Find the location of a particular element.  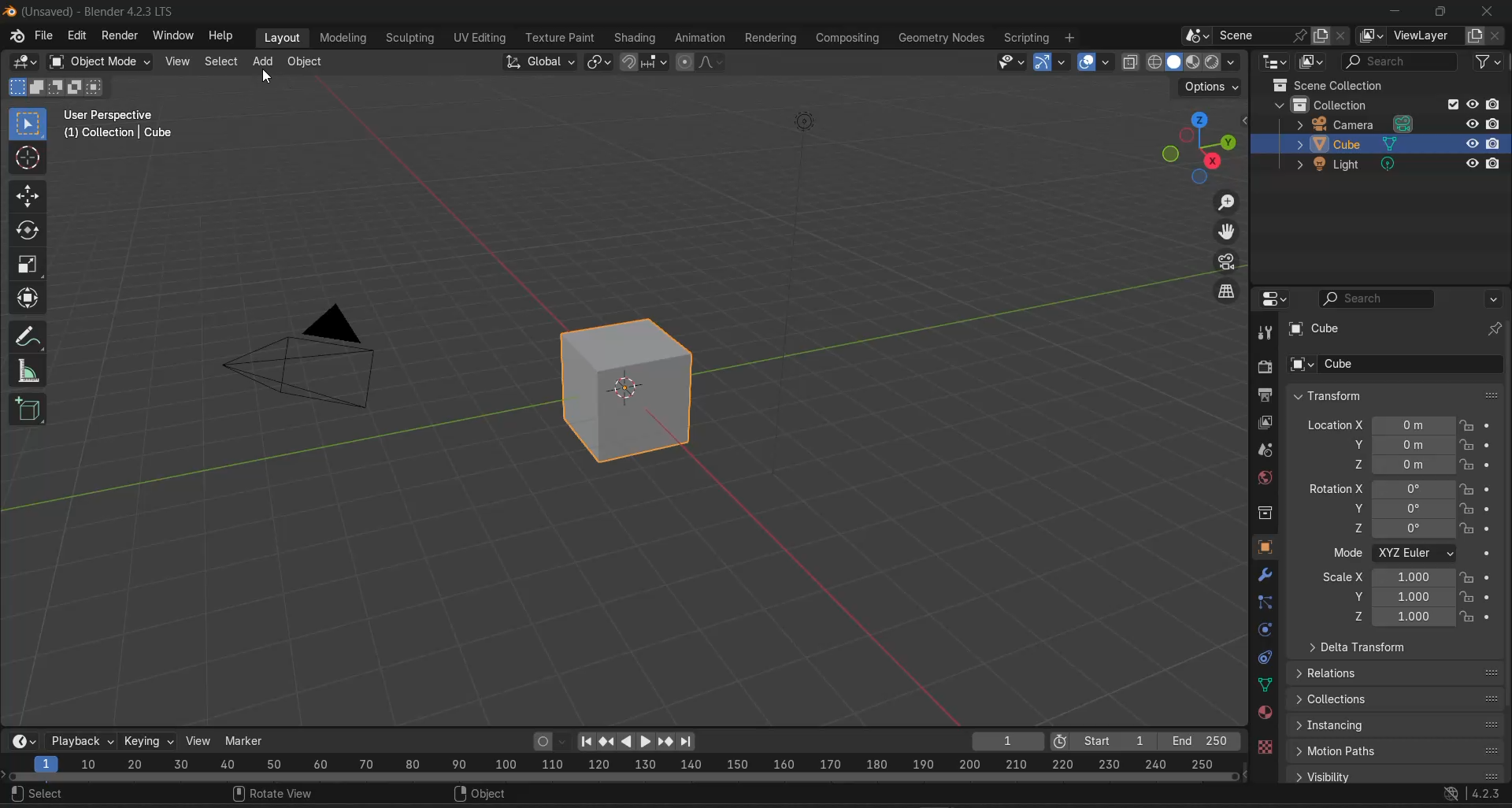

modifiers is located at coordinates (1265, 574).